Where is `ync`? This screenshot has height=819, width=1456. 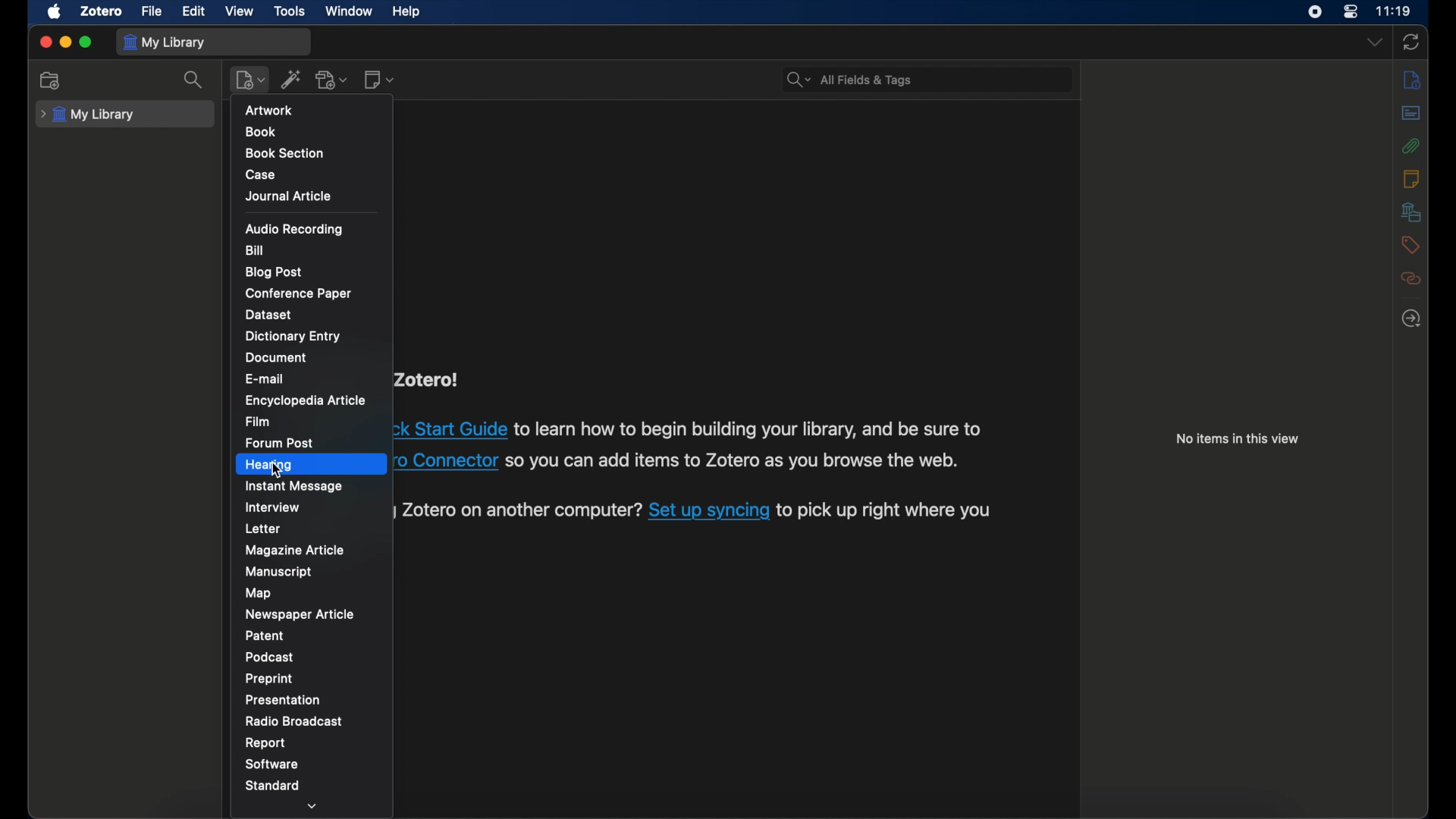
ync is located at coordinates (1410, 42).